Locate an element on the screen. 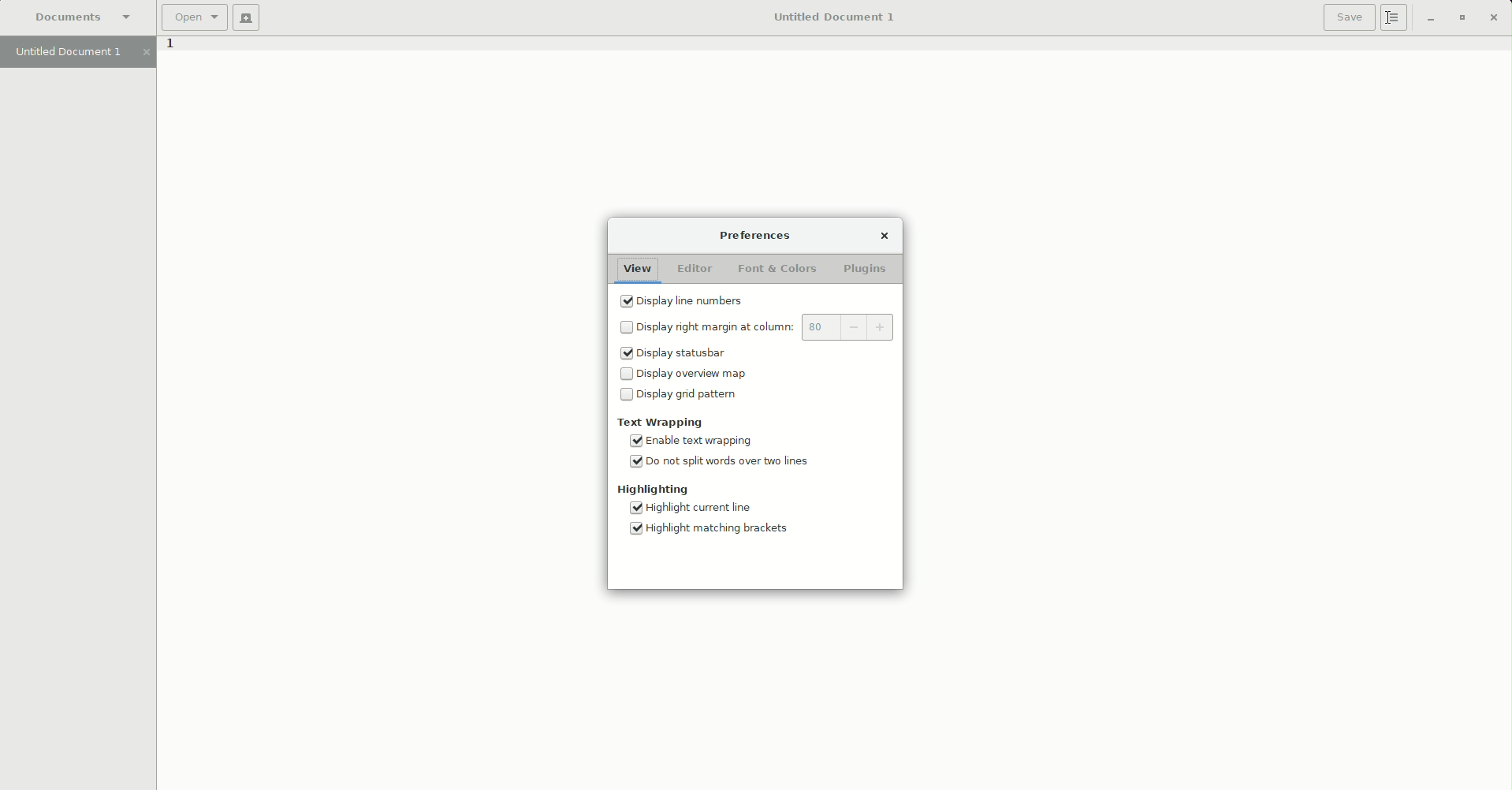  Highlight matching brackets is located at coordinates (715, 532).